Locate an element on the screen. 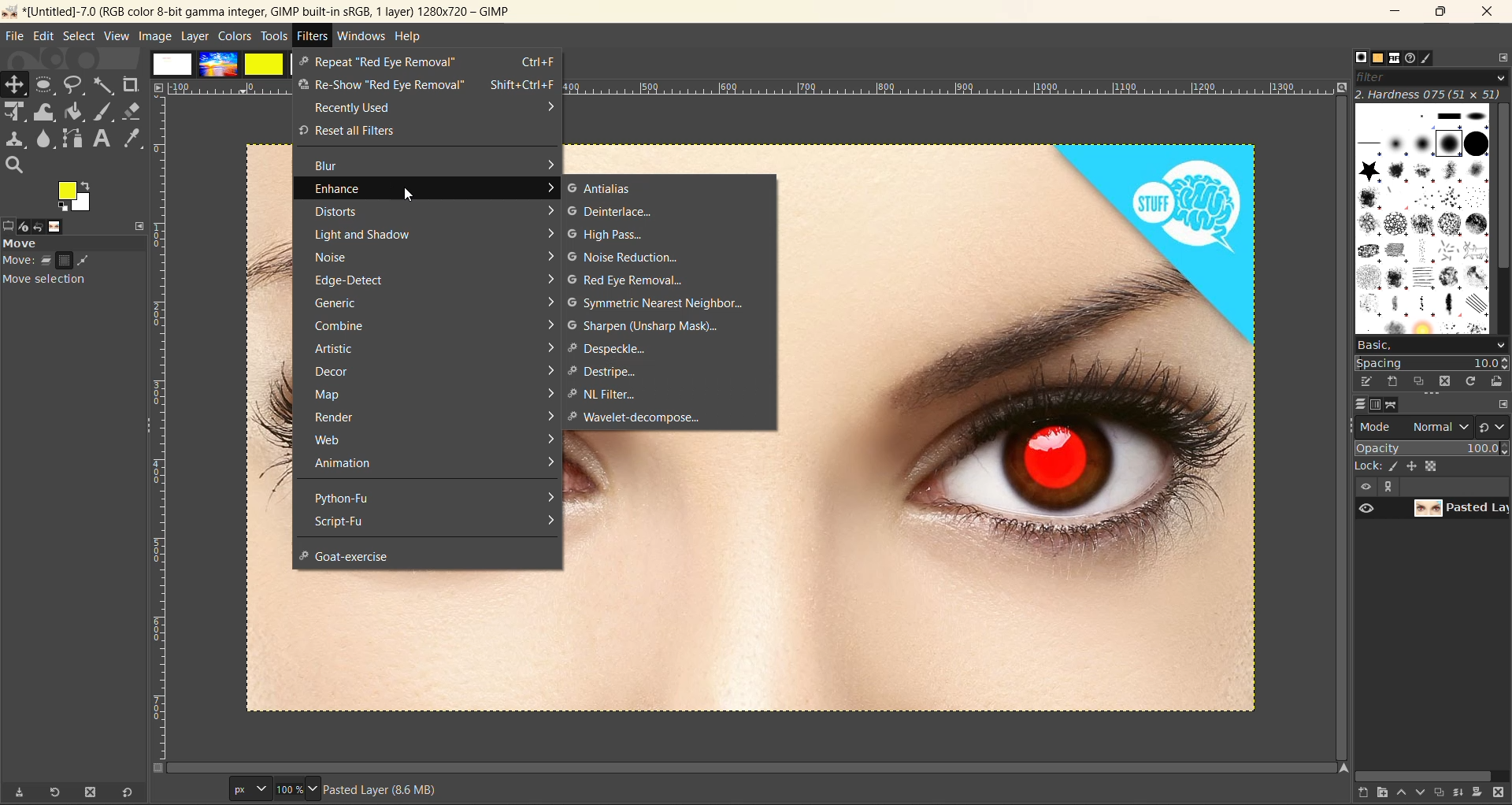 The height and width of the screenshot is (805, 1512). clone is located at coordinates (17, 139).